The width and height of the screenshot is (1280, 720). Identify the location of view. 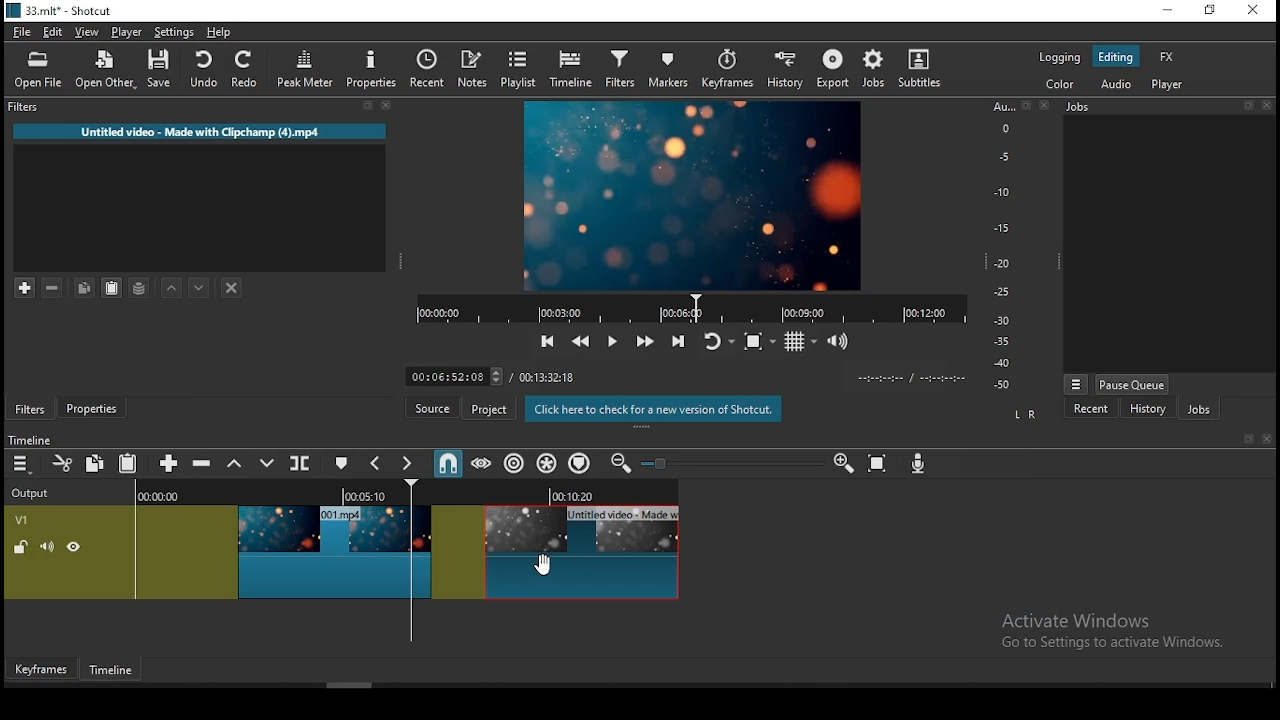
(88, 31).